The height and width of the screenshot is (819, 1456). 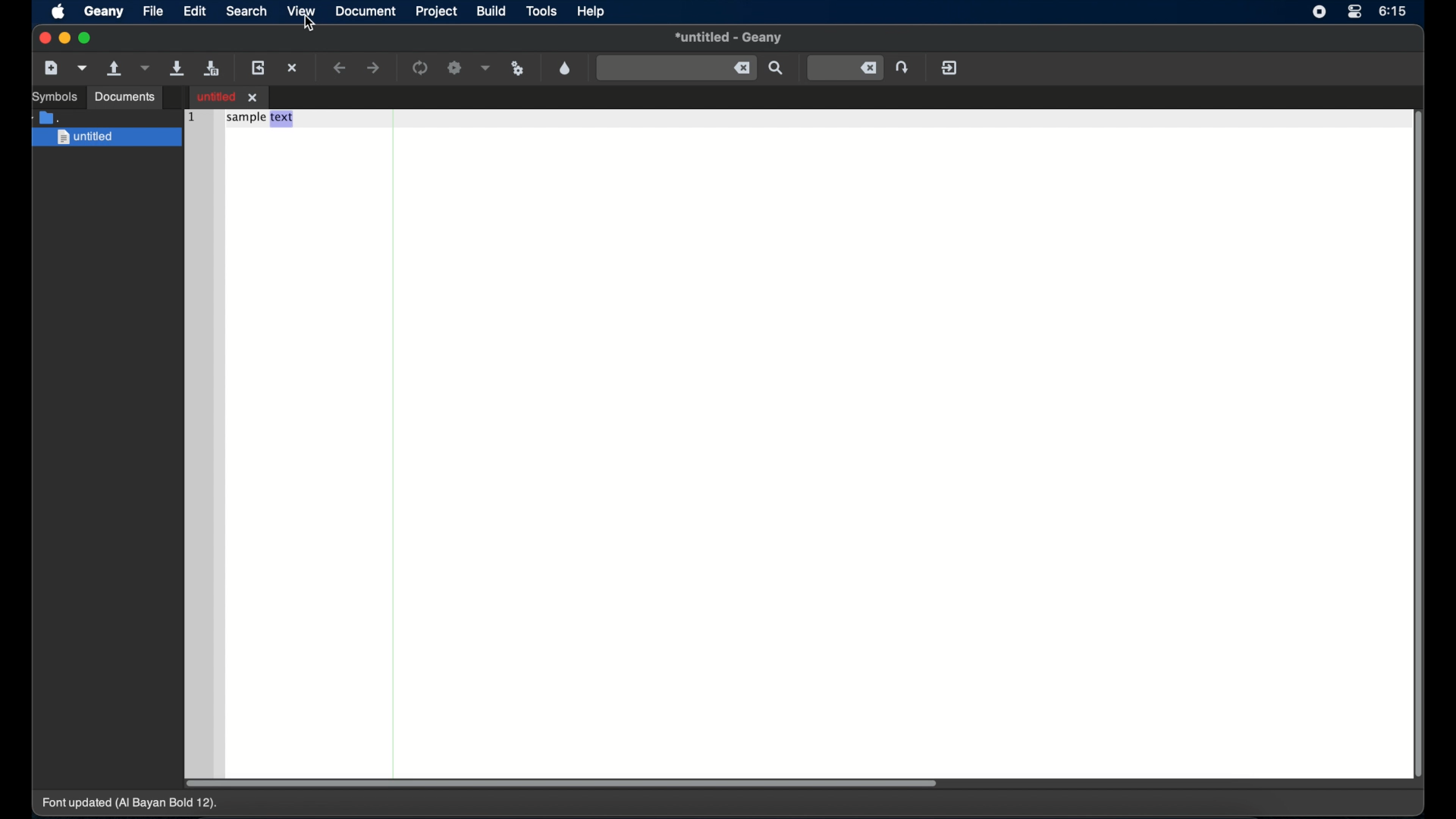 What do you see at coordinates (676, 67) in the screenshot?
I see `find the entered text in the current file` at bounding box center [676, 67].